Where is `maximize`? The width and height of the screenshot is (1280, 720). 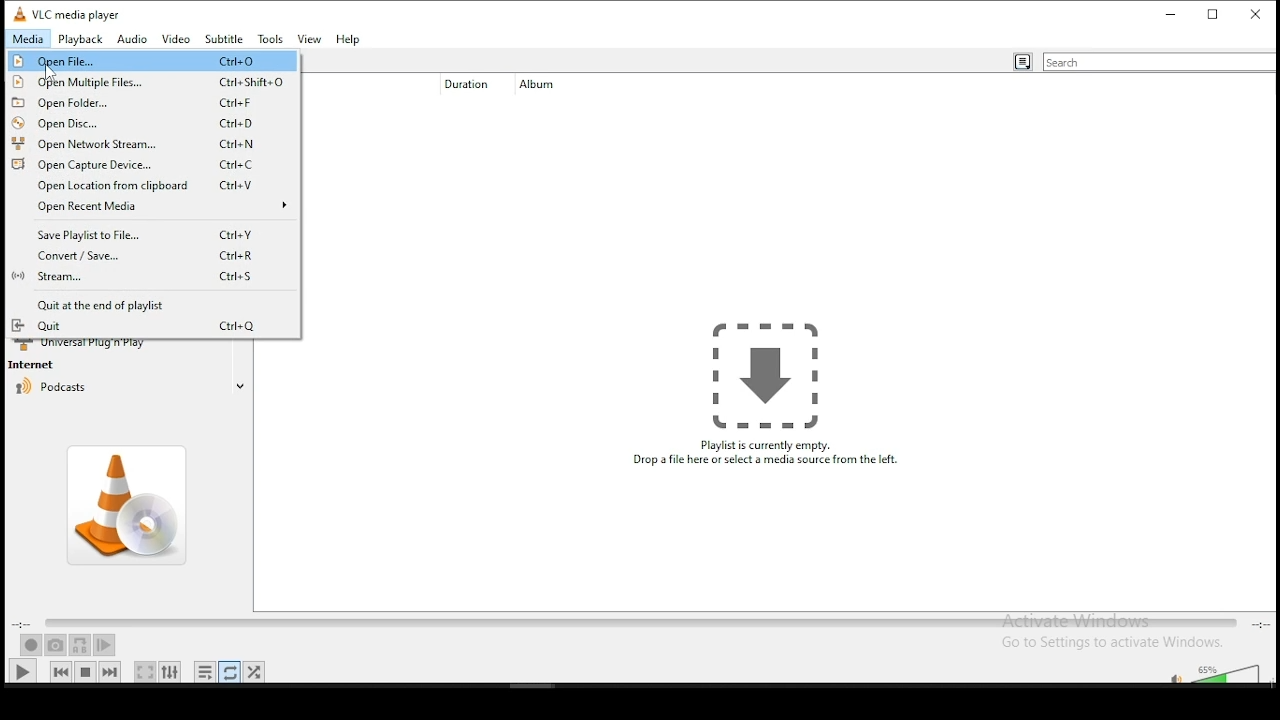
maximize is located at coordinates (1214, 13).